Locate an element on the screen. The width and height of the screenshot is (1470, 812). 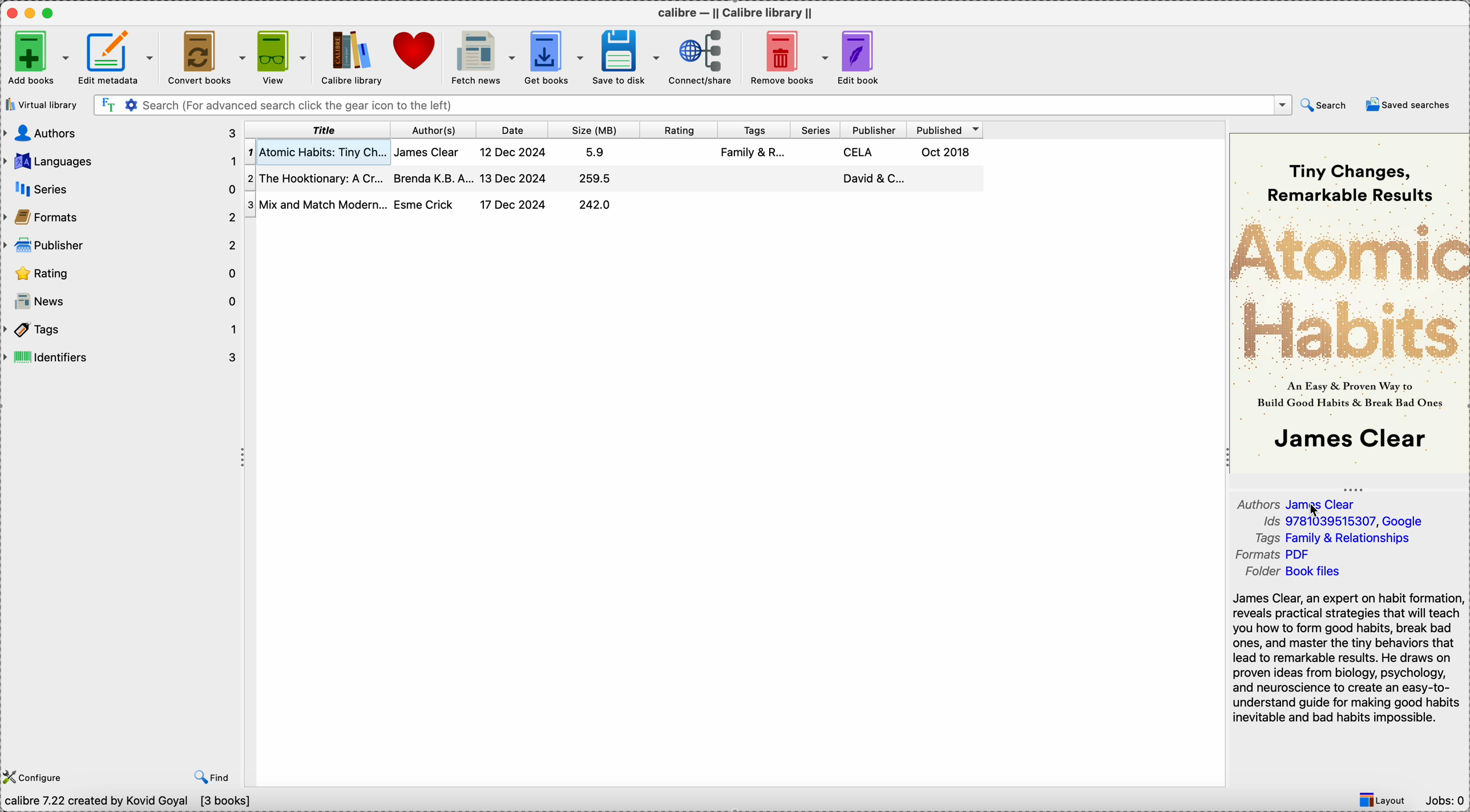
view is located at coordinates (281, 56).